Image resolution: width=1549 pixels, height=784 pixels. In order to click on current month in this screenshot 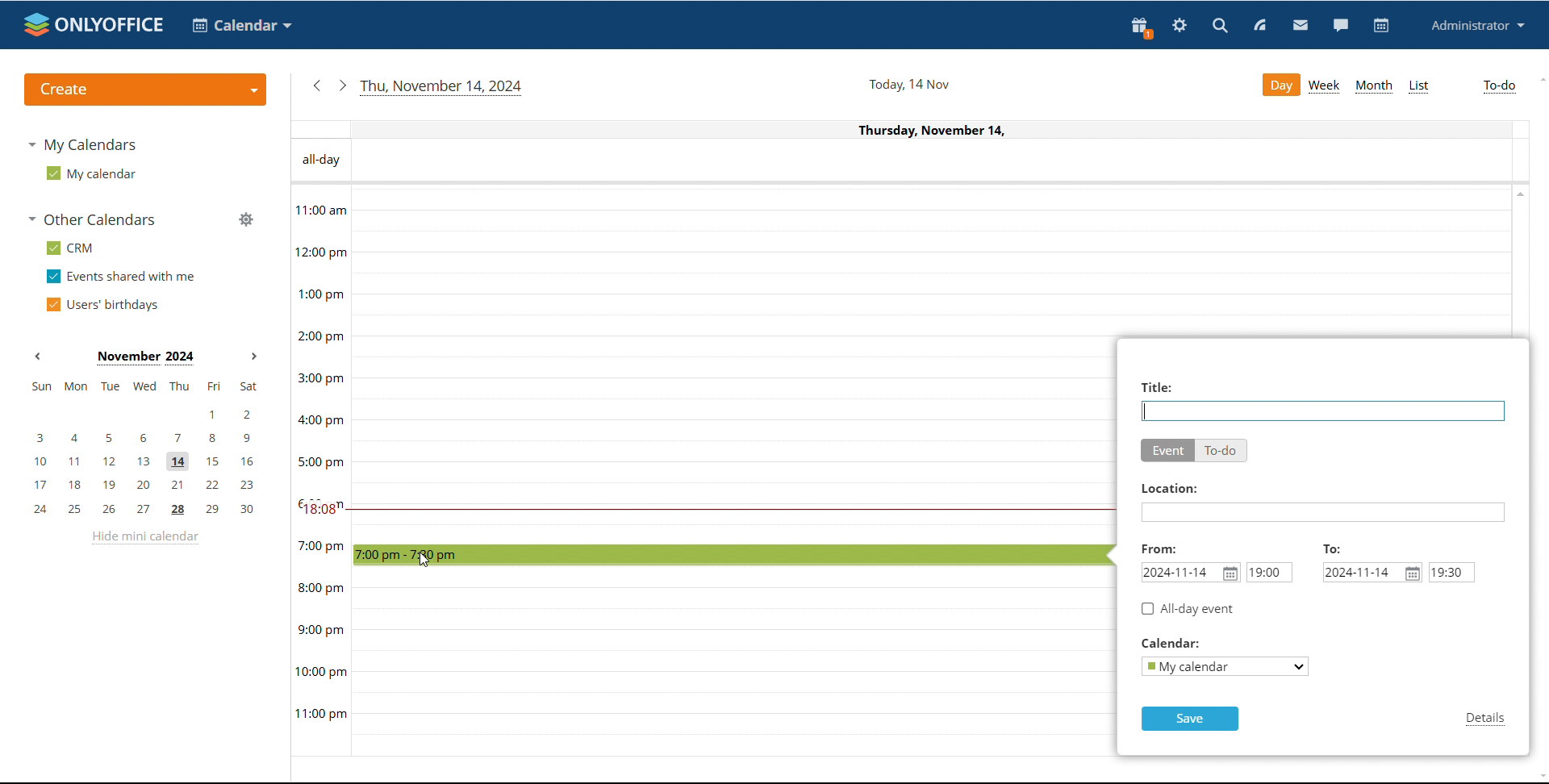, I will do `click(145, 358)`.